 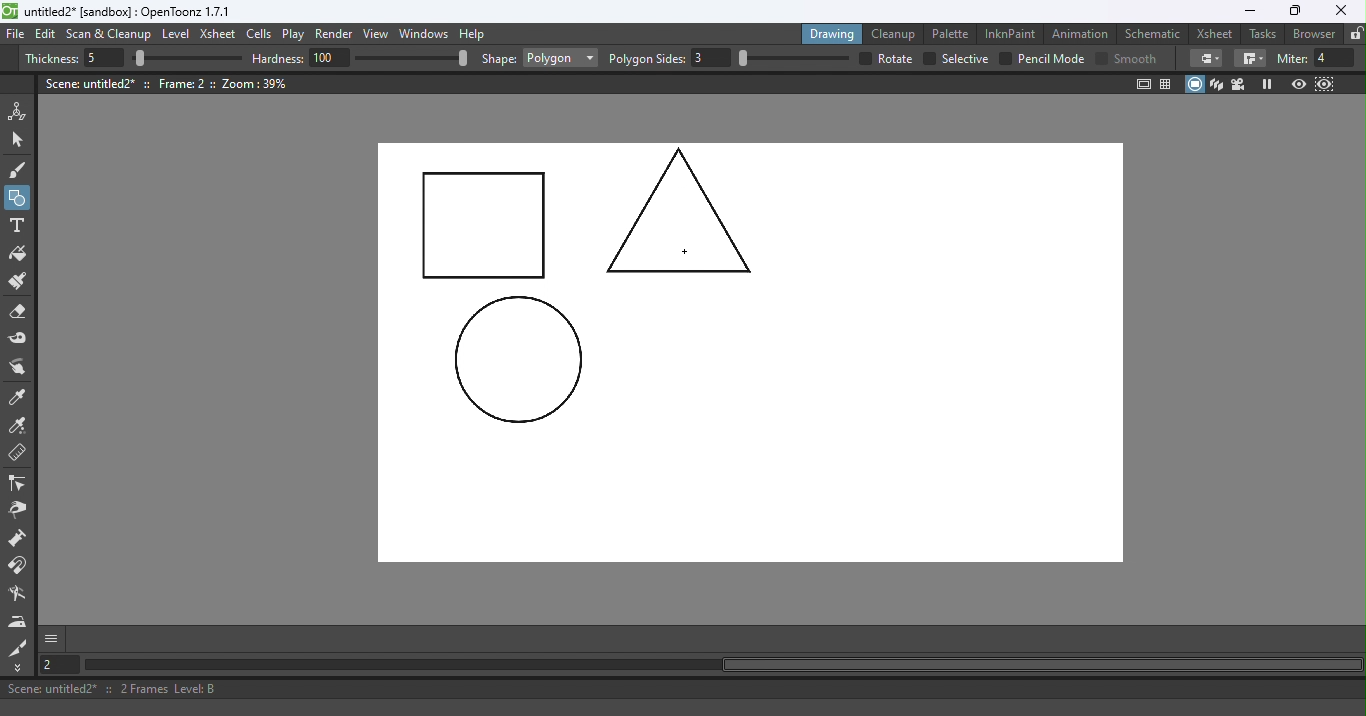 What do you see at coordinates (18, 485) in the screenshot?
I see `Control point editor tool` at bounding box center [18, 485].